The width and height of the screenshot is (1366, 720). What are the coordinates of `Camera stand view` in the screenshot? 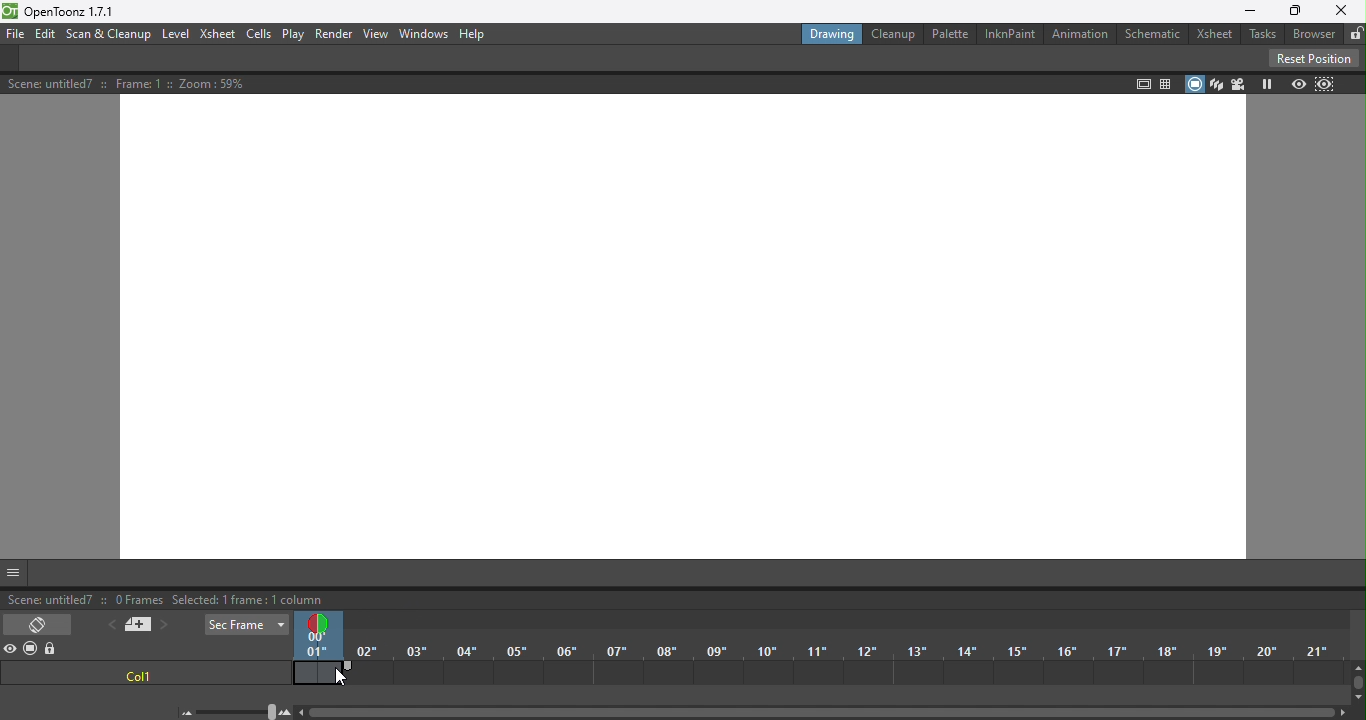 It's located at (1193, 84).